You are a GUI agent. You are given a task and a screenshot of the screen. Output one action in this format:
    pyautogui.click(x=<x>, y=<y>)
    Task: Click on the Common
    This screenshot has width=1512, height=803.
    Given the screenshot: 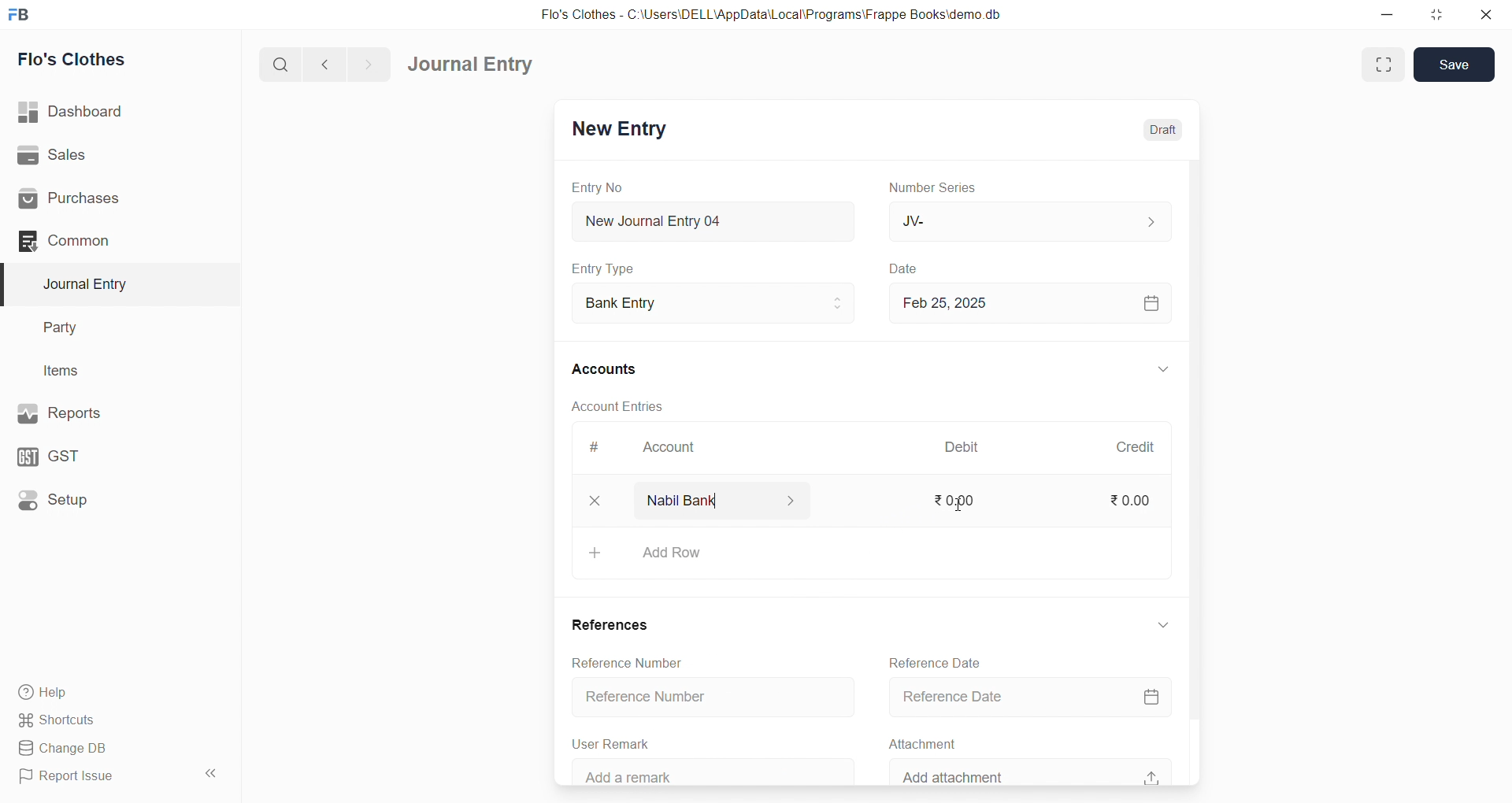 What is the action you would take?
    pyautogui.click(x=106, y=240)
    